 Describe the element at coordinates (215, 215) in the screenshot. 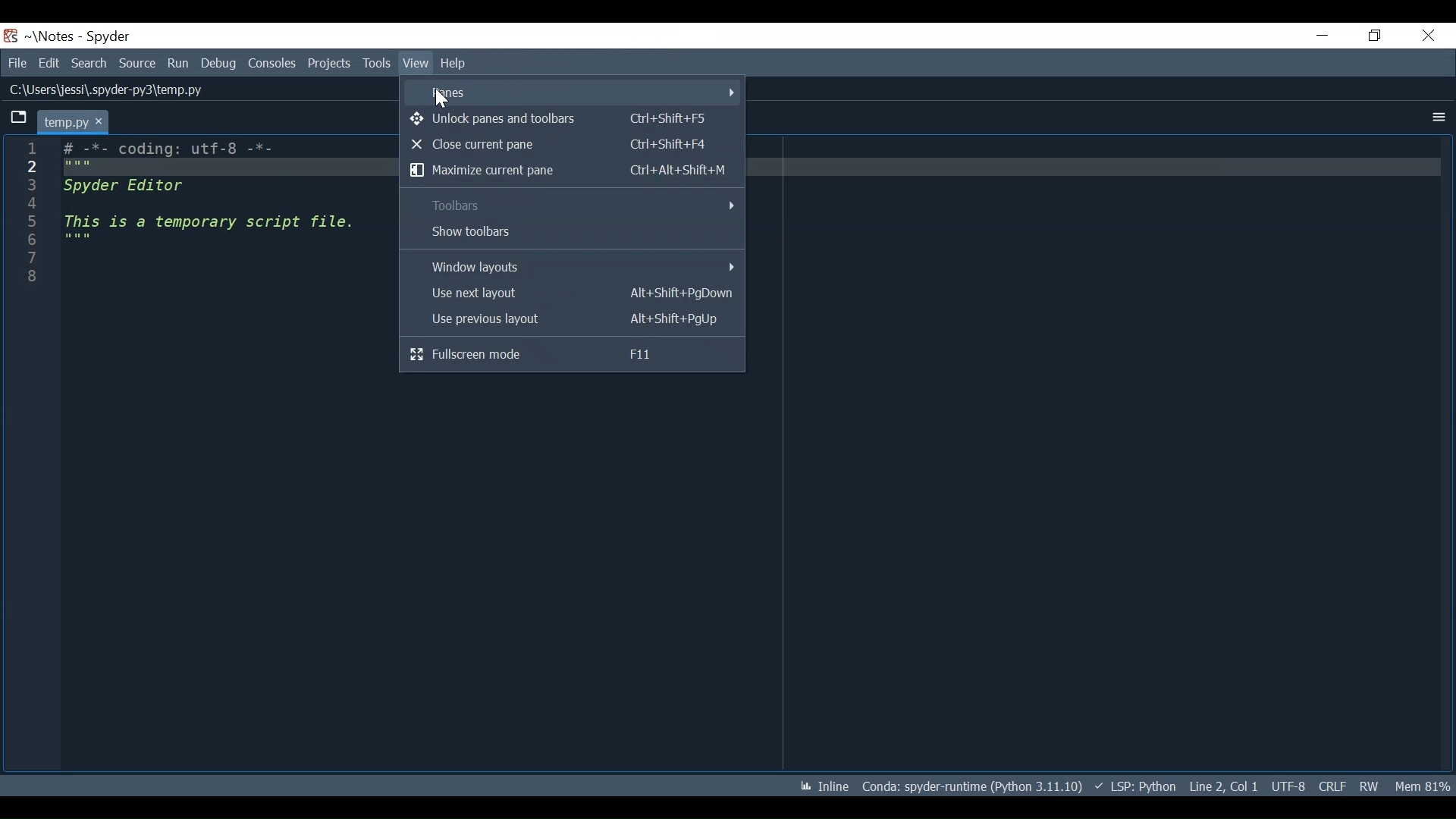

I see `# -*- coding: utf-8 -*- """ Spyder Editor  This is a temporary script file. """` at that location.